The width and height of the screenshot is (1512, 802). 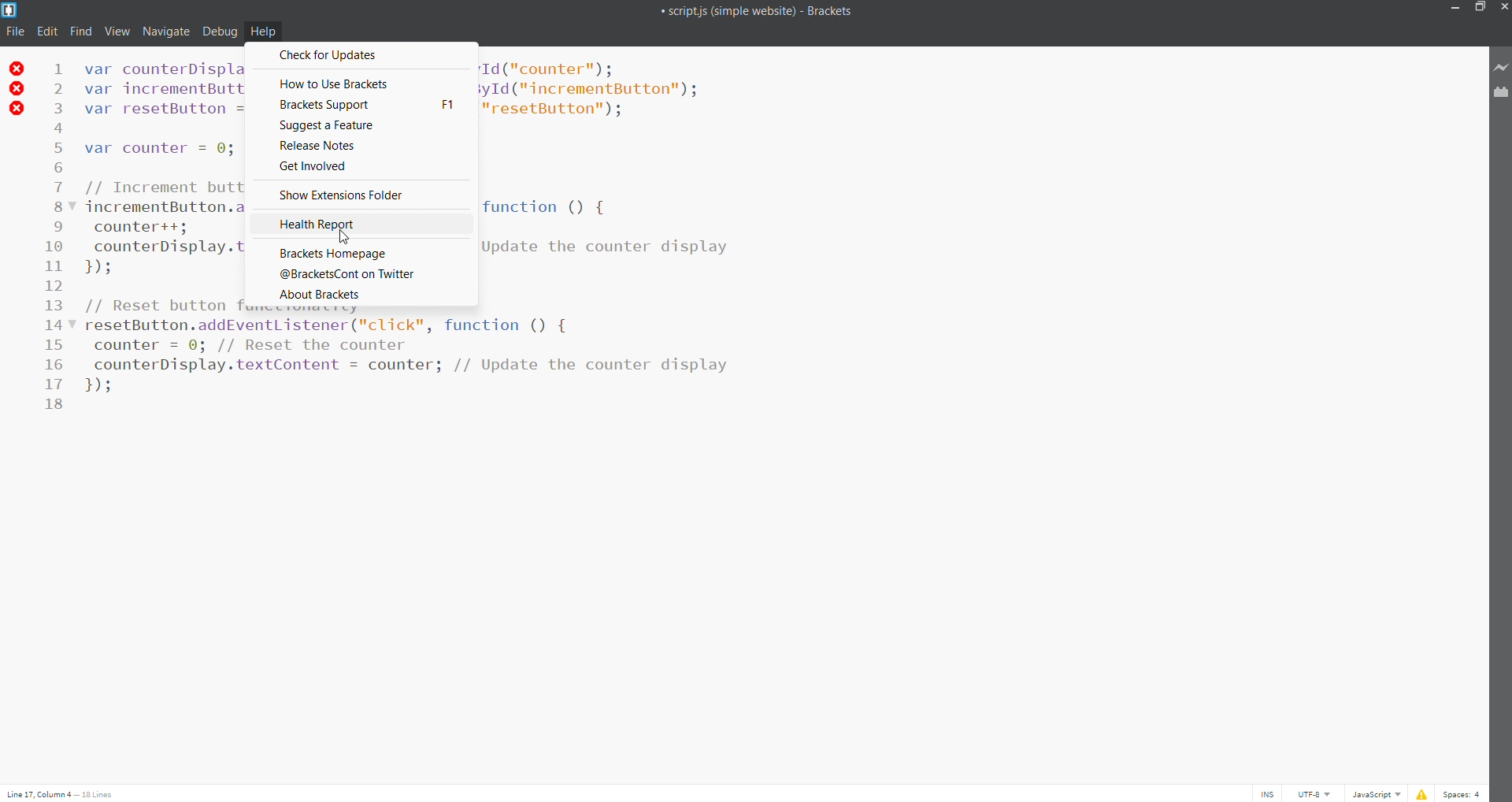 What do you see at coordinates (263, 31) in the screenshot?
I see `help` at bounding box center [263, 31].